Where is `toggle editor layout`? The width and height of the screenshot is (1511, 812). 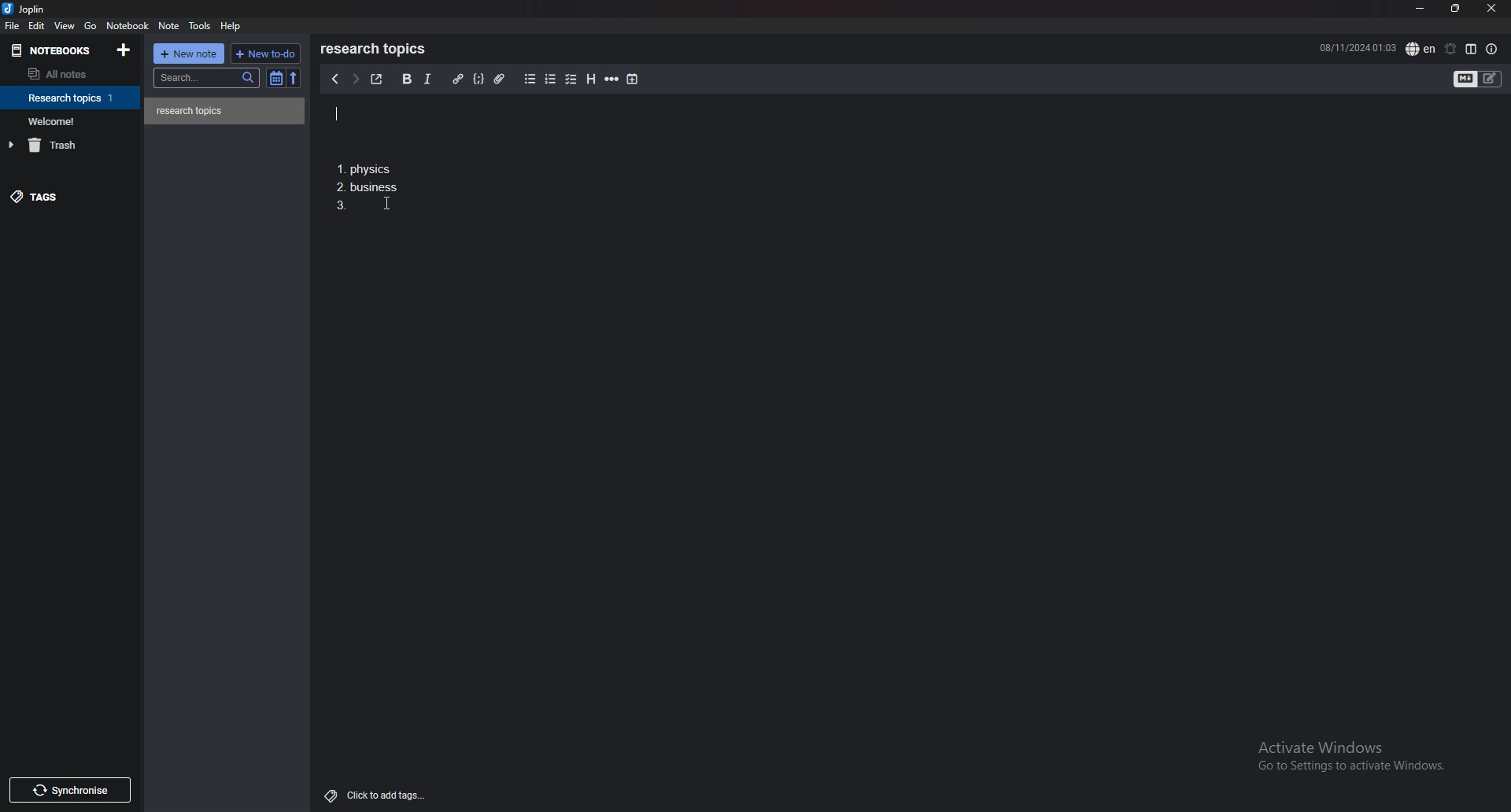 toggle editor layout is located at coordinates (1471, 49).